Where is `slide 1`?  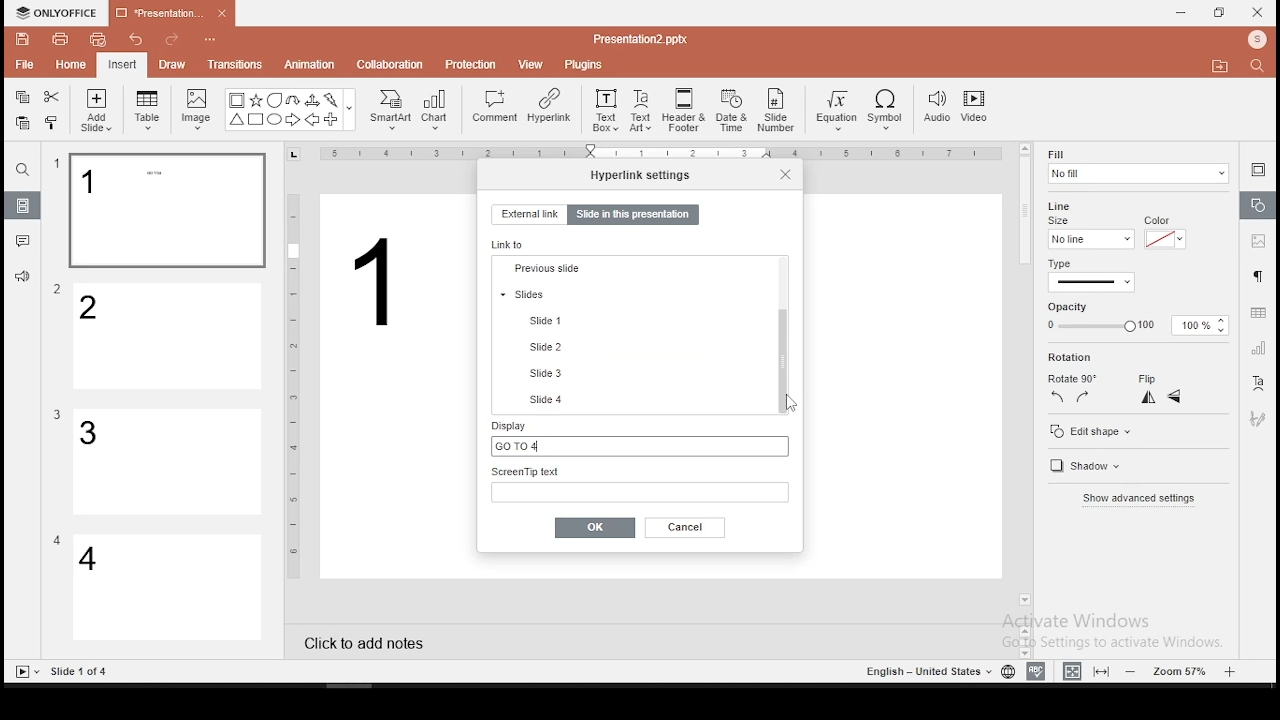
slide 1 is located at coordinates (166, 211).